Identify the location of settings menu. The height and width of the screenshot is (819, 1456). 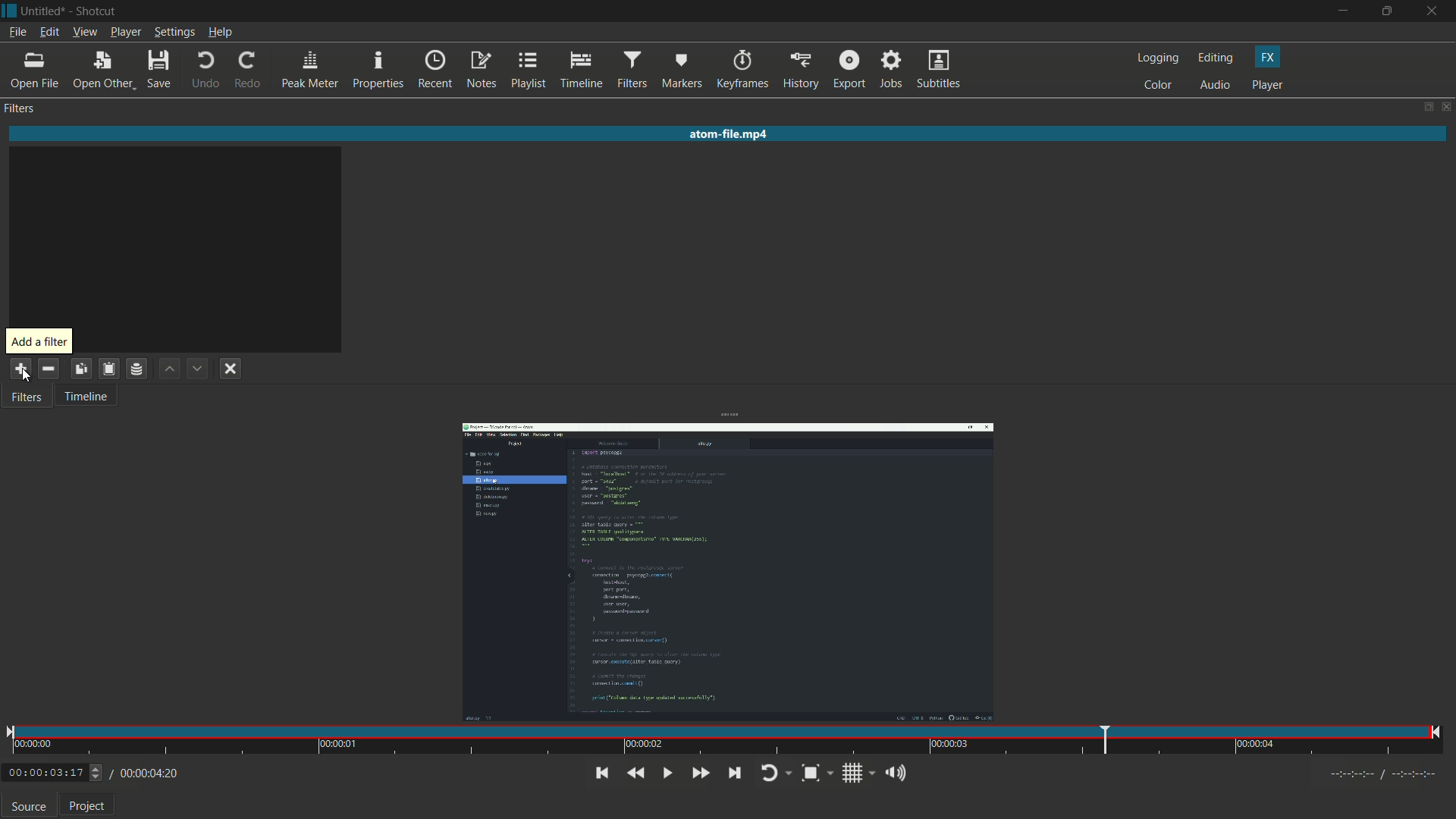
(174, 32).